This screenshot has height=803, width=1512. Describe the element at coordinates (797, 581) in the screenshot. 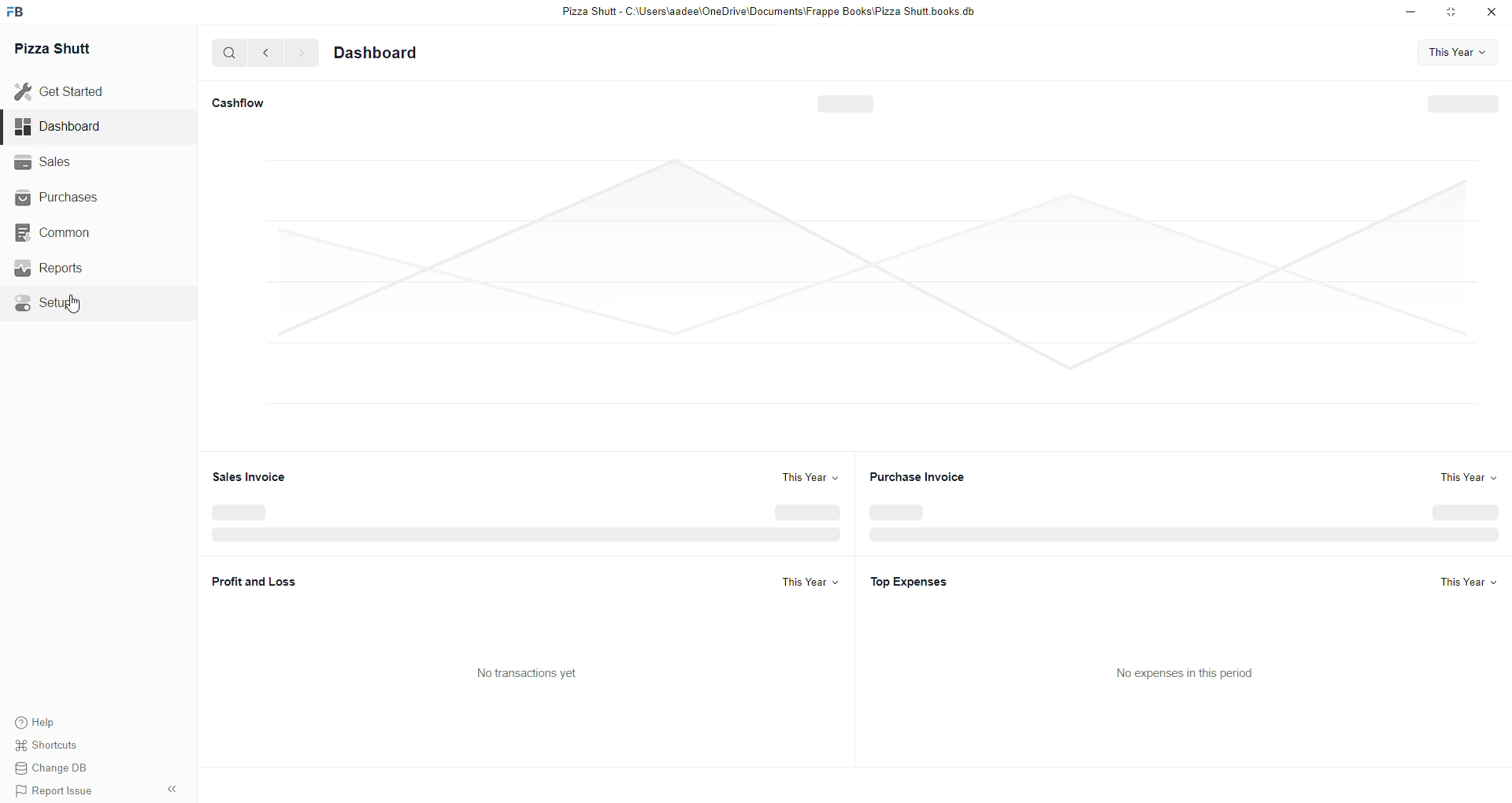

I see `profit and loss timeframe` at that location.